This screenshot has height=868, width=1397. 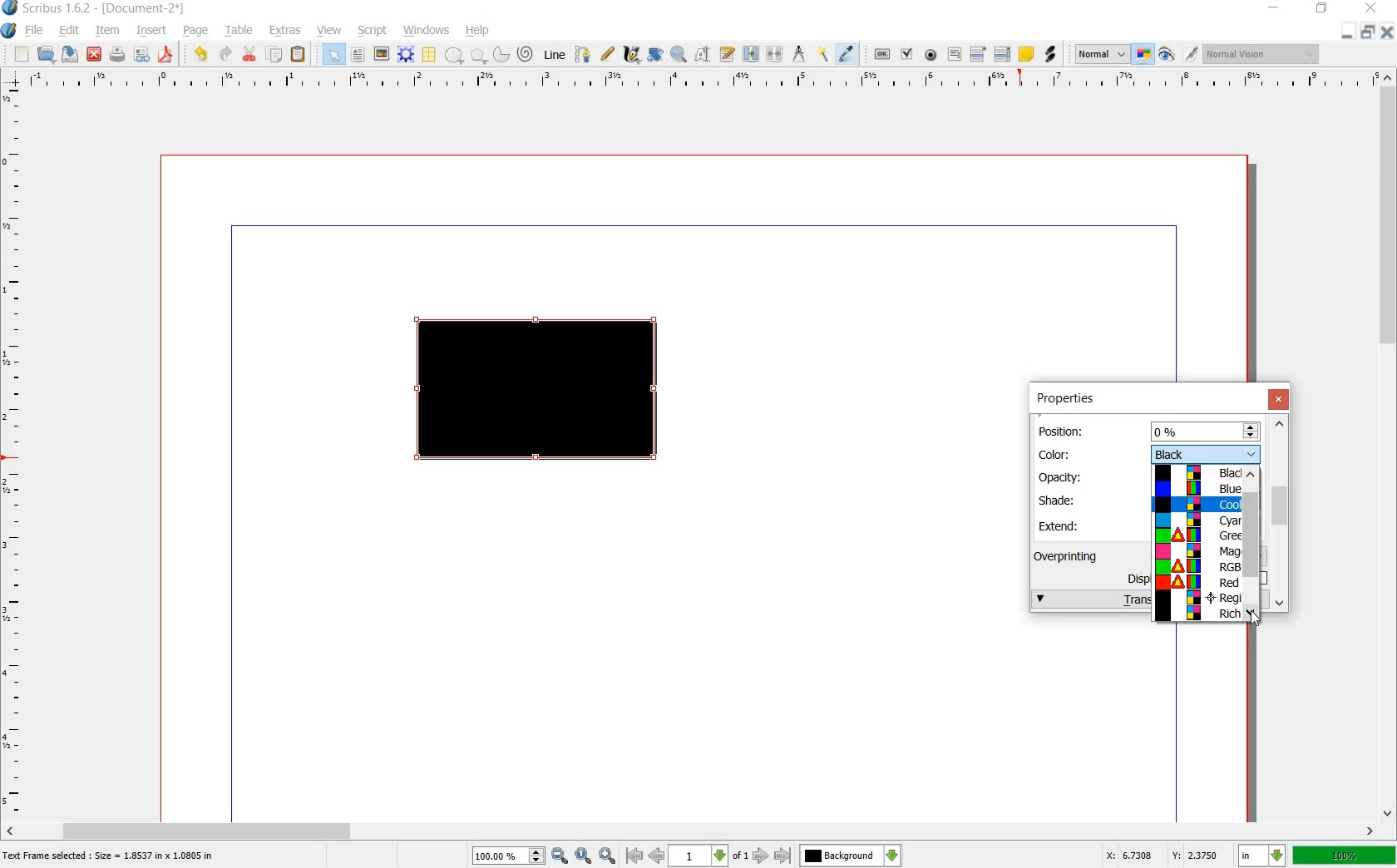 What do you see at coordinates (1002, 53) in the screenshot?
I see `pdf list box` at bounding box center [1002, 53].